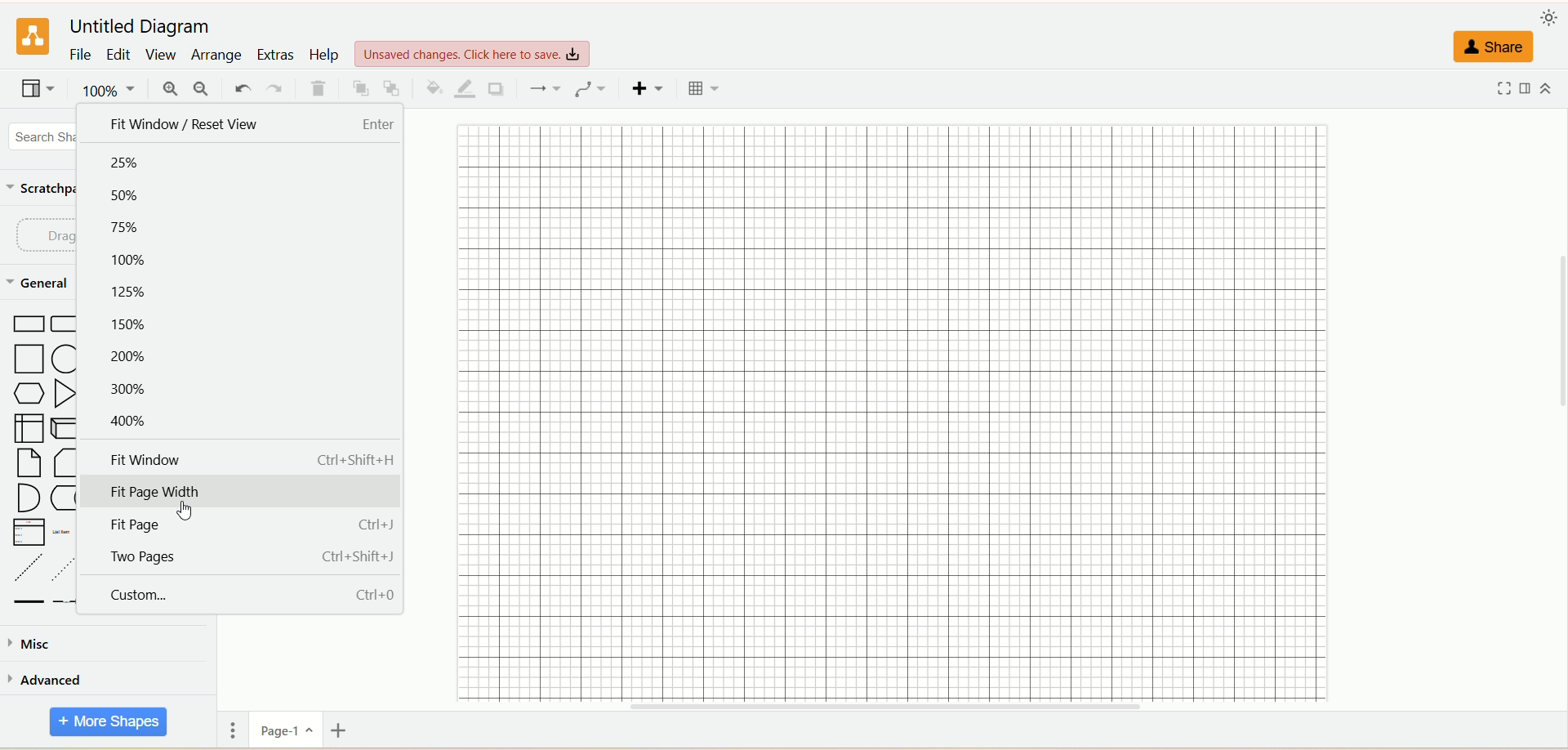 This screenshot has height=750, width=1568. I want to click on waypoints, so click(587, 88).